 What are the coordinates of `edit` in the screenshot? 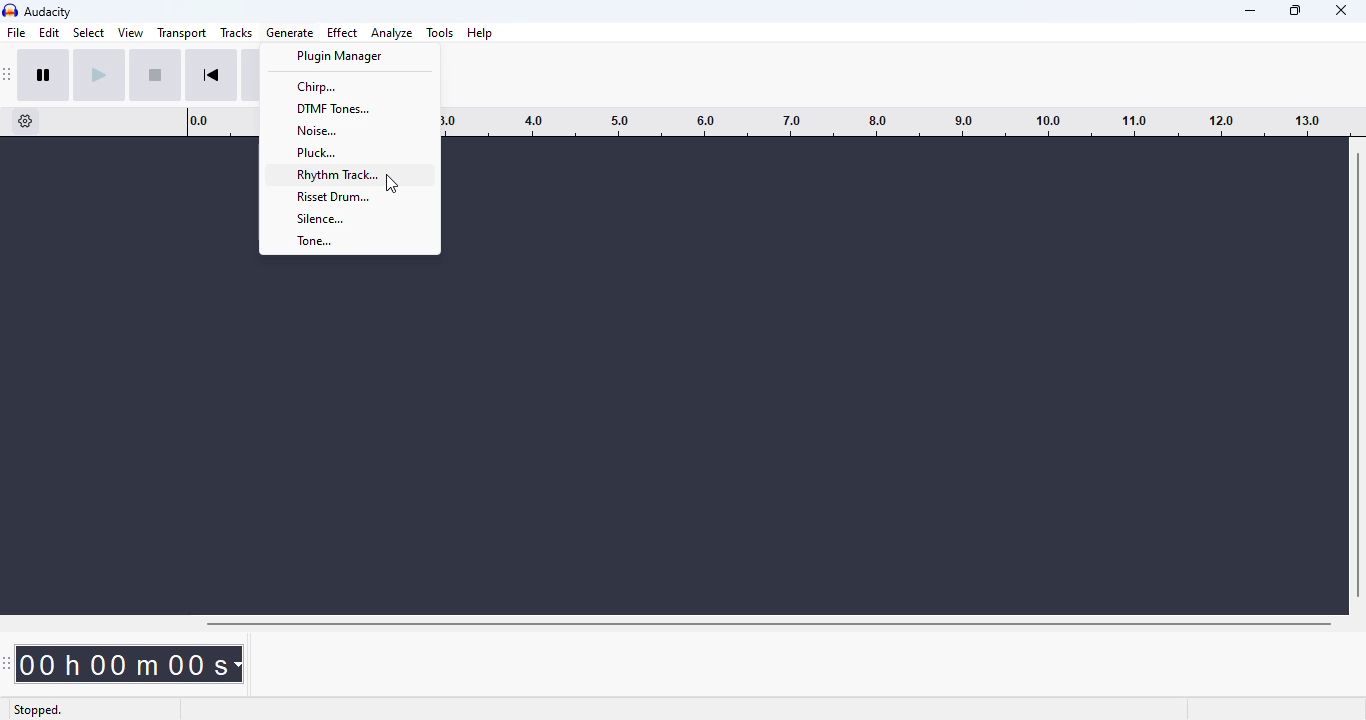 It's located at (50, 32).